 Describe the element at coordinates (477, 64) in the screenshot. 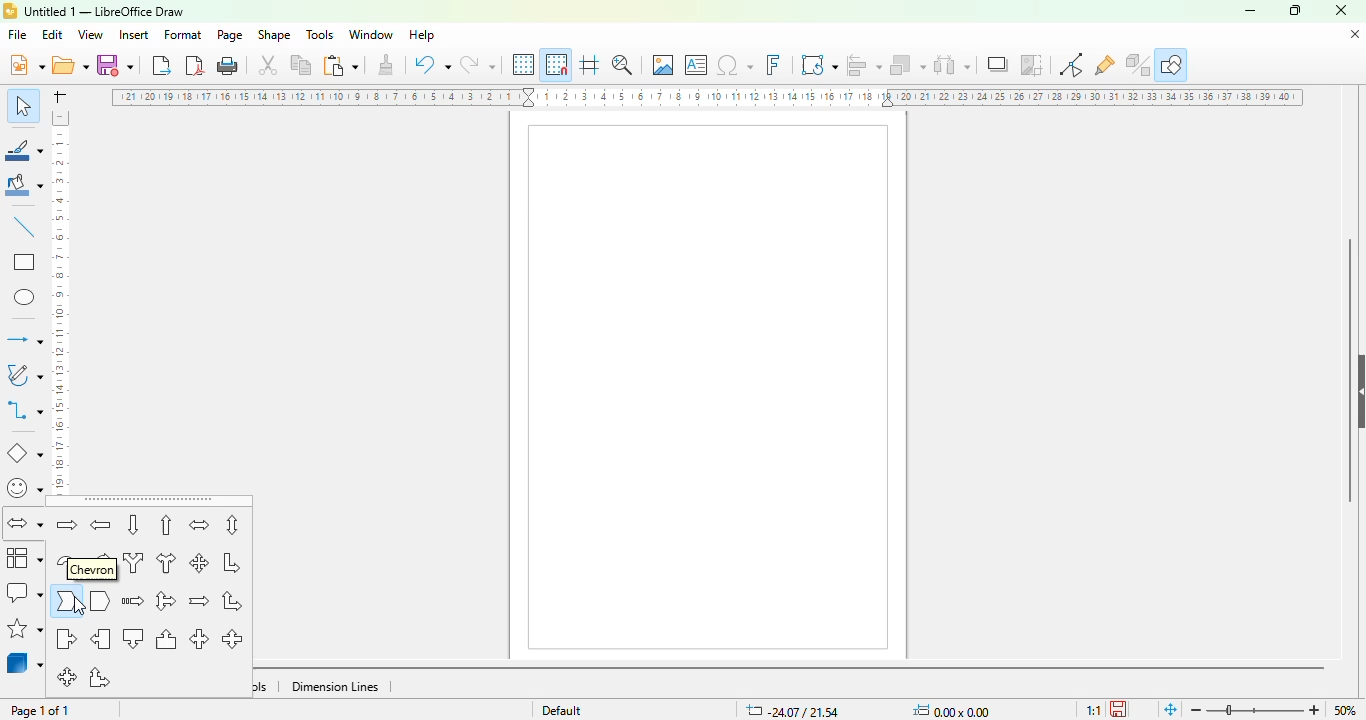

I see `redo` at that location.